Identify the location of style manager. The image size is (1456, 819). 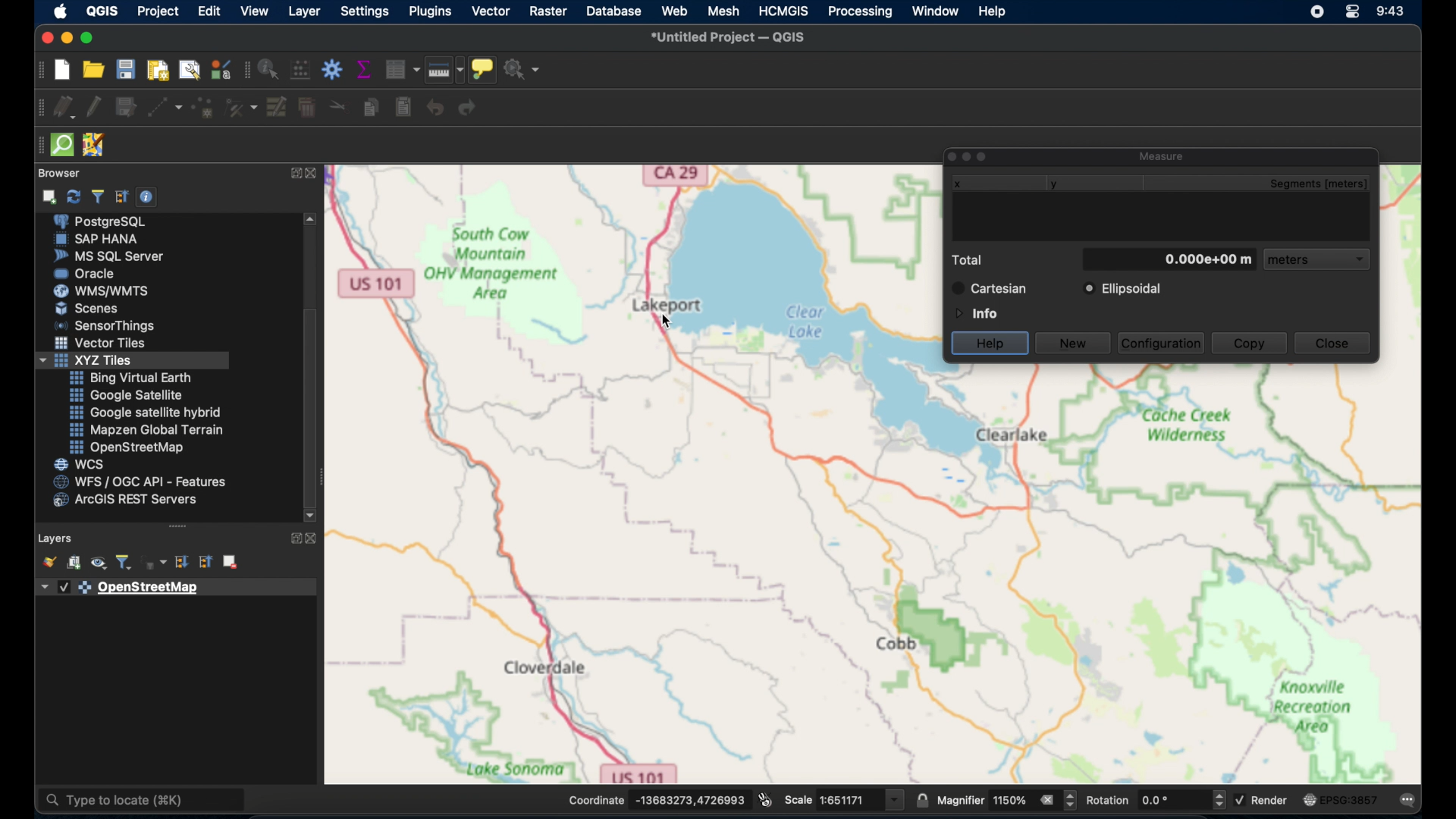
(220, 69).